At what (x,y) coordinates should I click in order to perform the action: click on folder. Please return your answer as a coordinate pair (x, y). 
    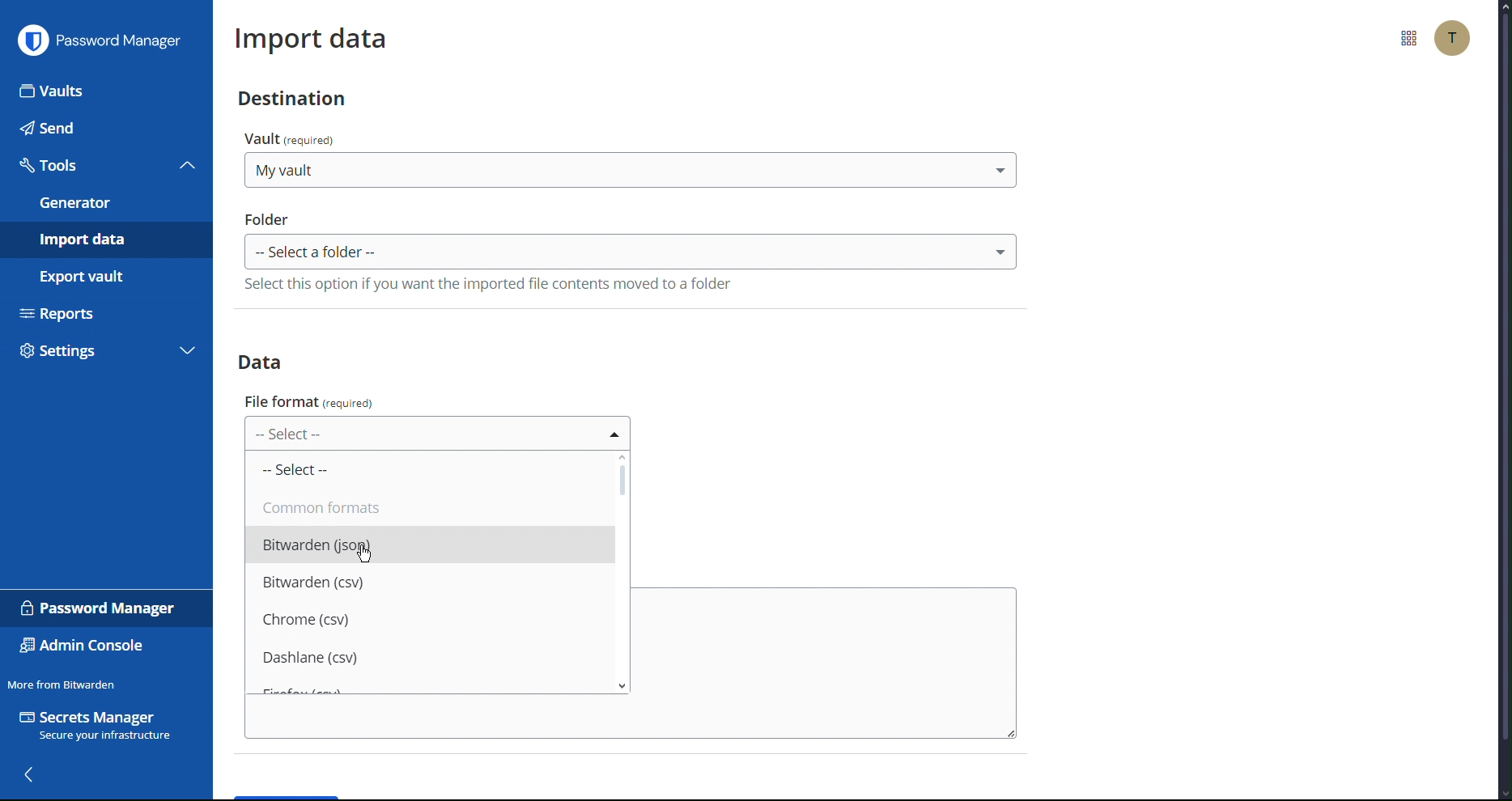
    Looking at the image, I should click on (268, 218).